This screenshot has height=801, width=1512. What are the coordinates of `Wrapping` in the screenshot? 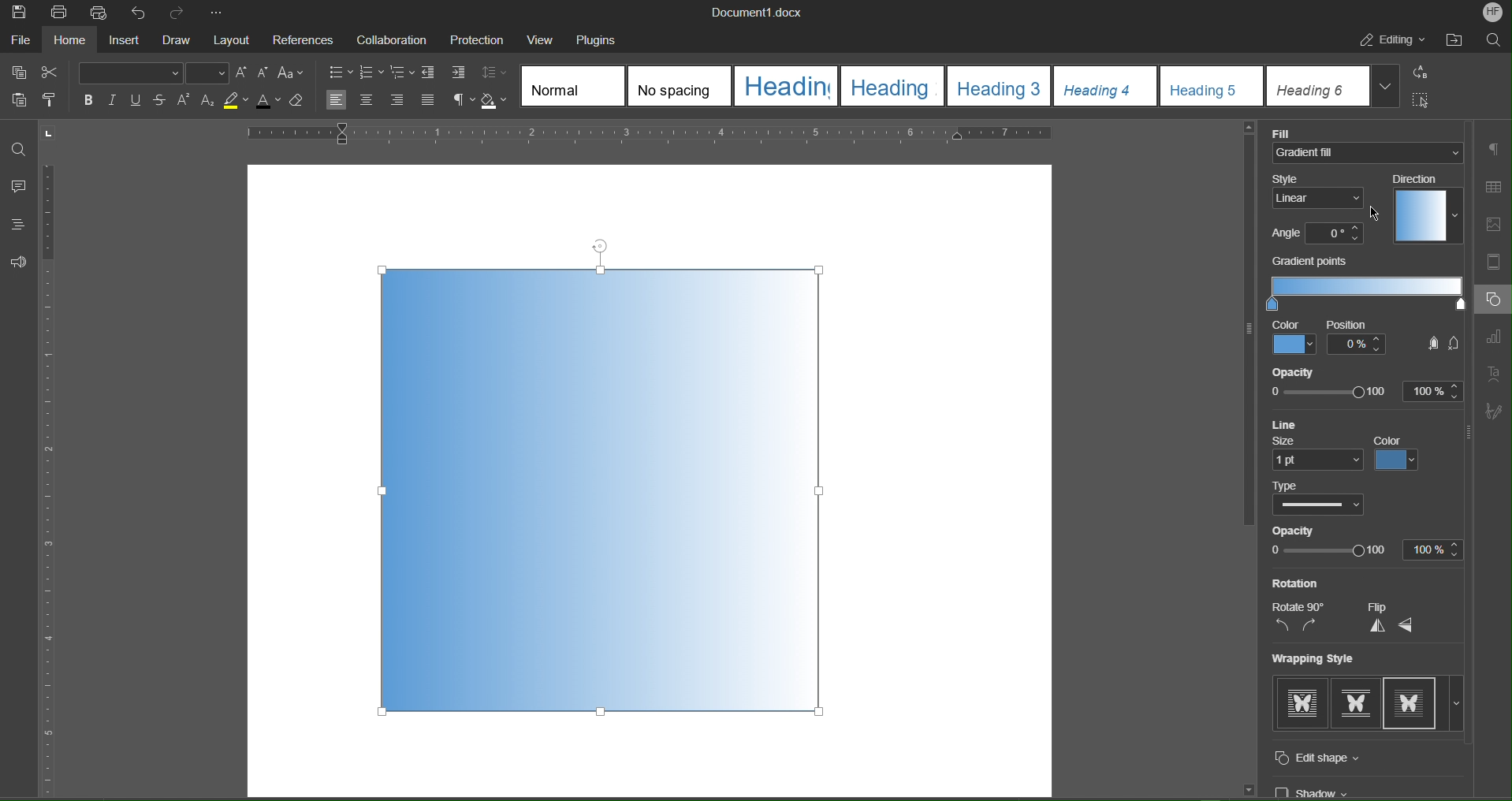 It's located at (1357, 703).